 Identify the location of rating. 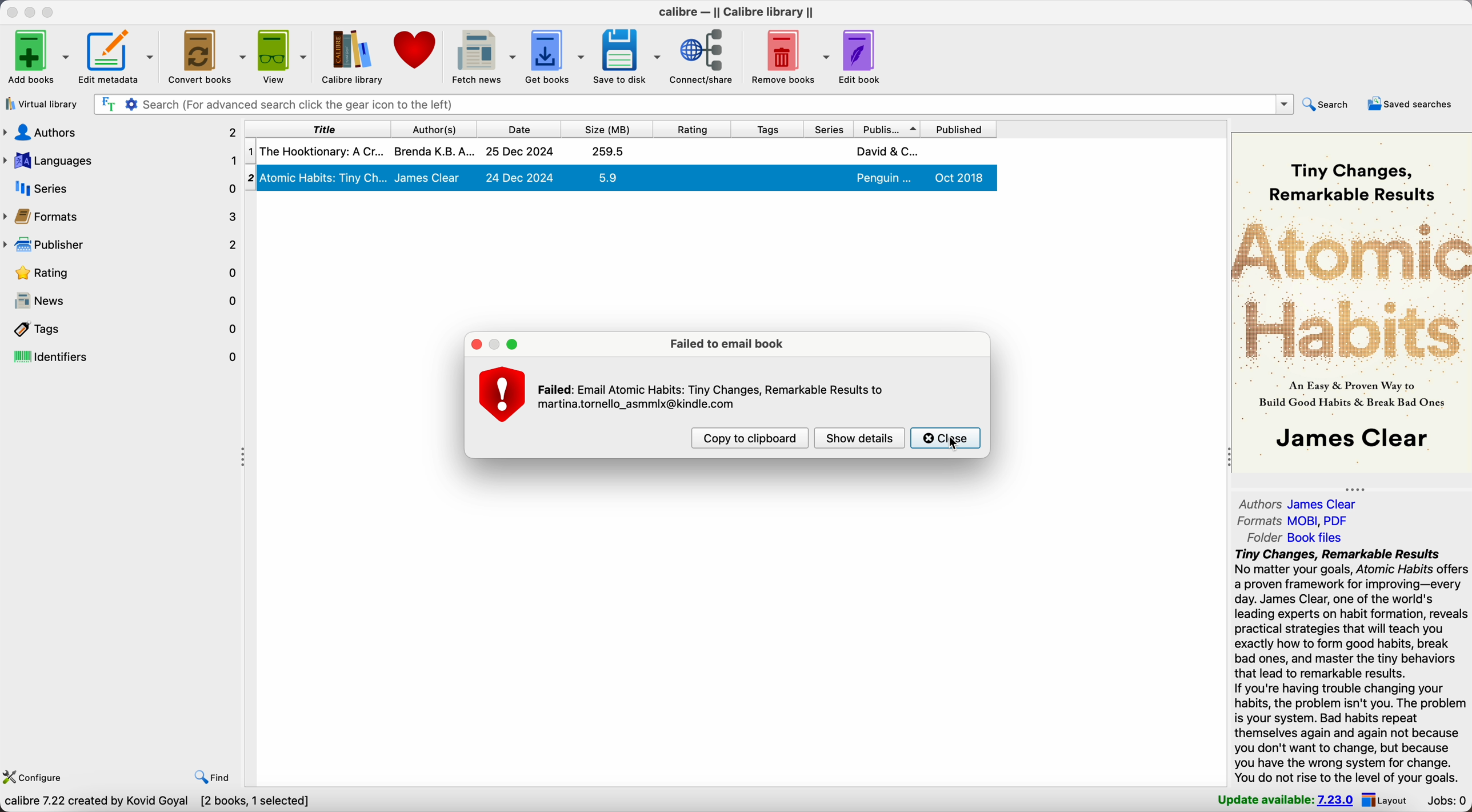
(691, 127).